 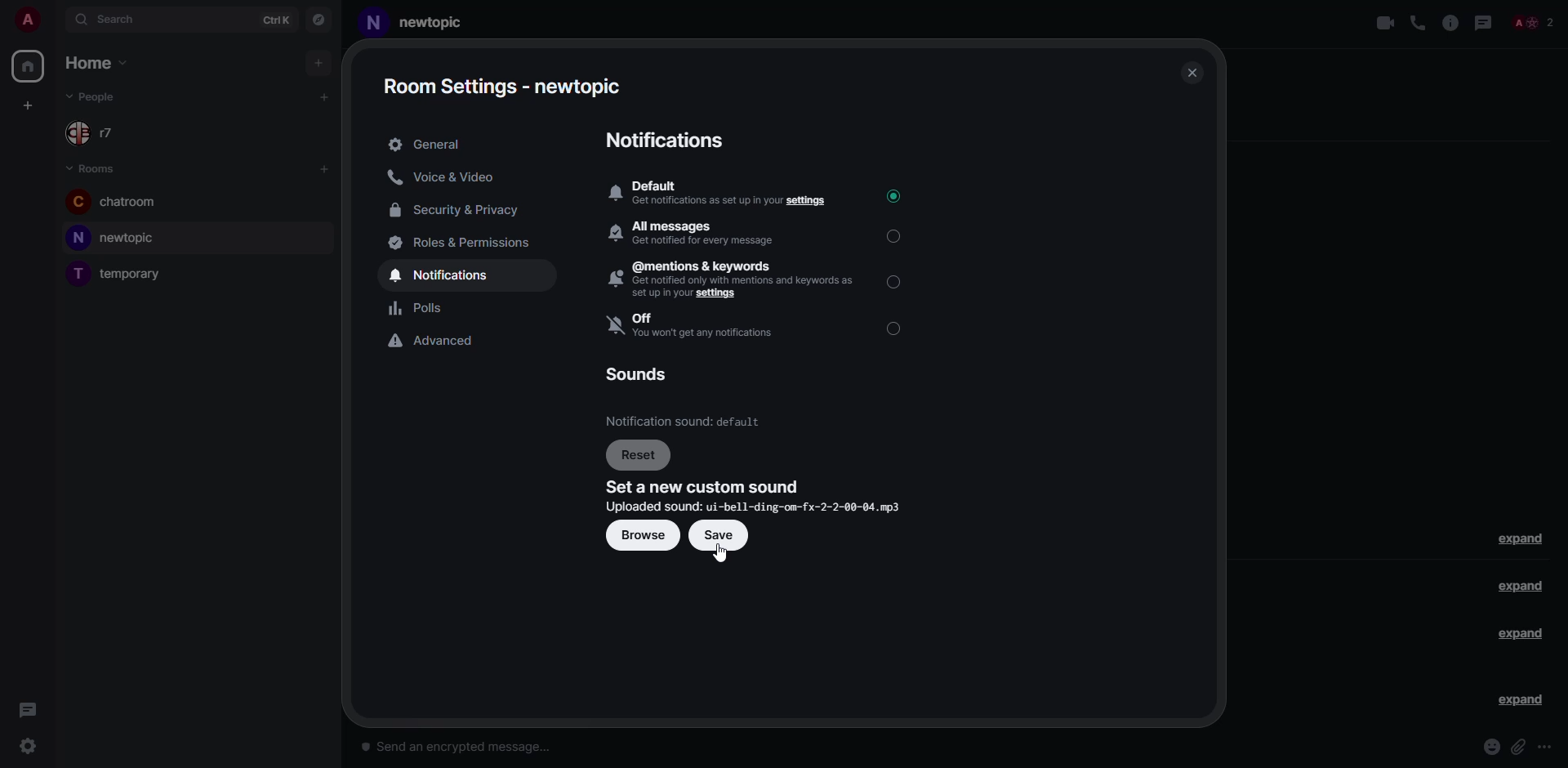 I want to click on room, so click(x=120, y=273).